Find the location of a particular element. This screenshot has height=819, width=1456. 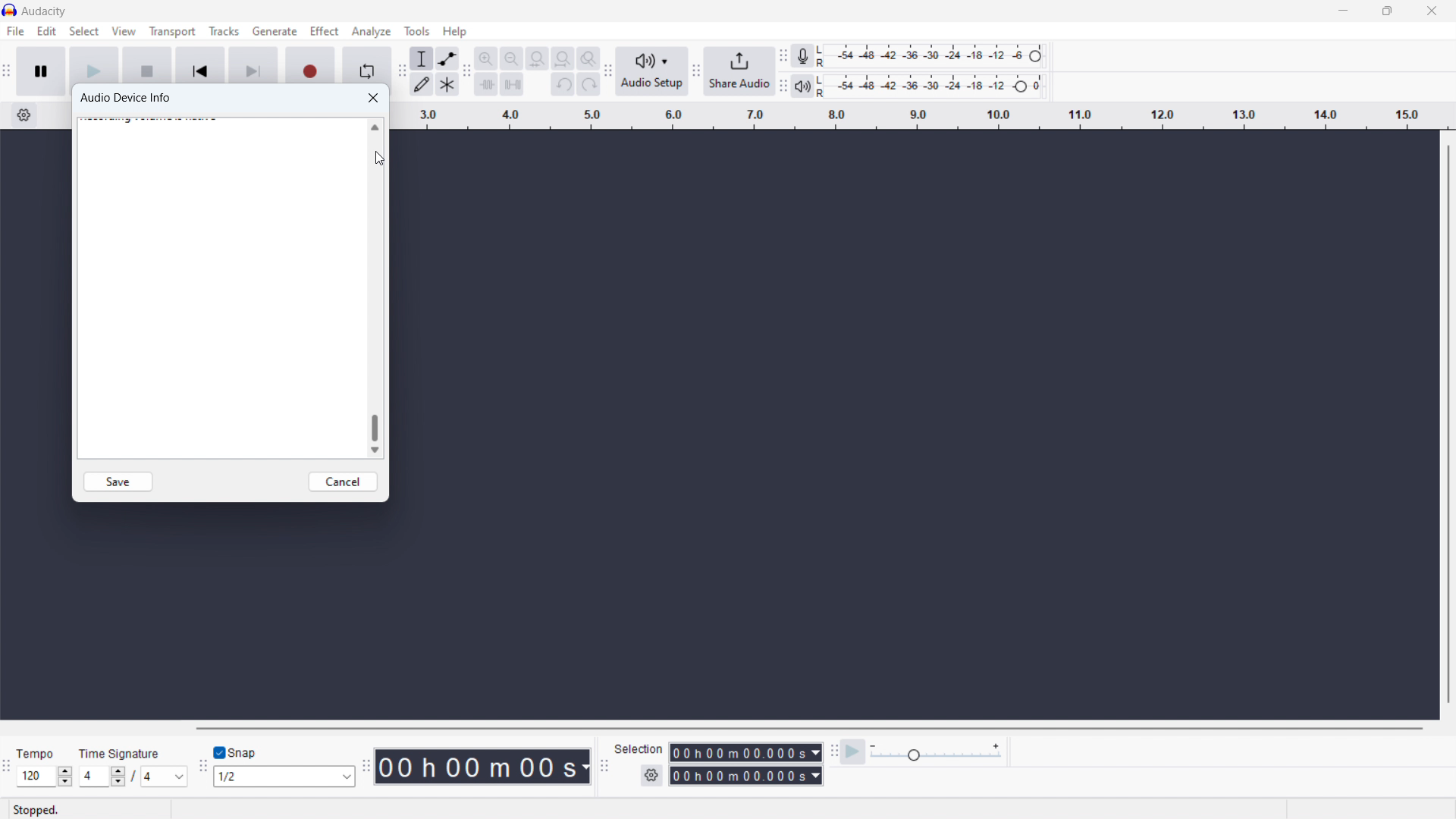

toggle snap is located at coordinates (235, 751).